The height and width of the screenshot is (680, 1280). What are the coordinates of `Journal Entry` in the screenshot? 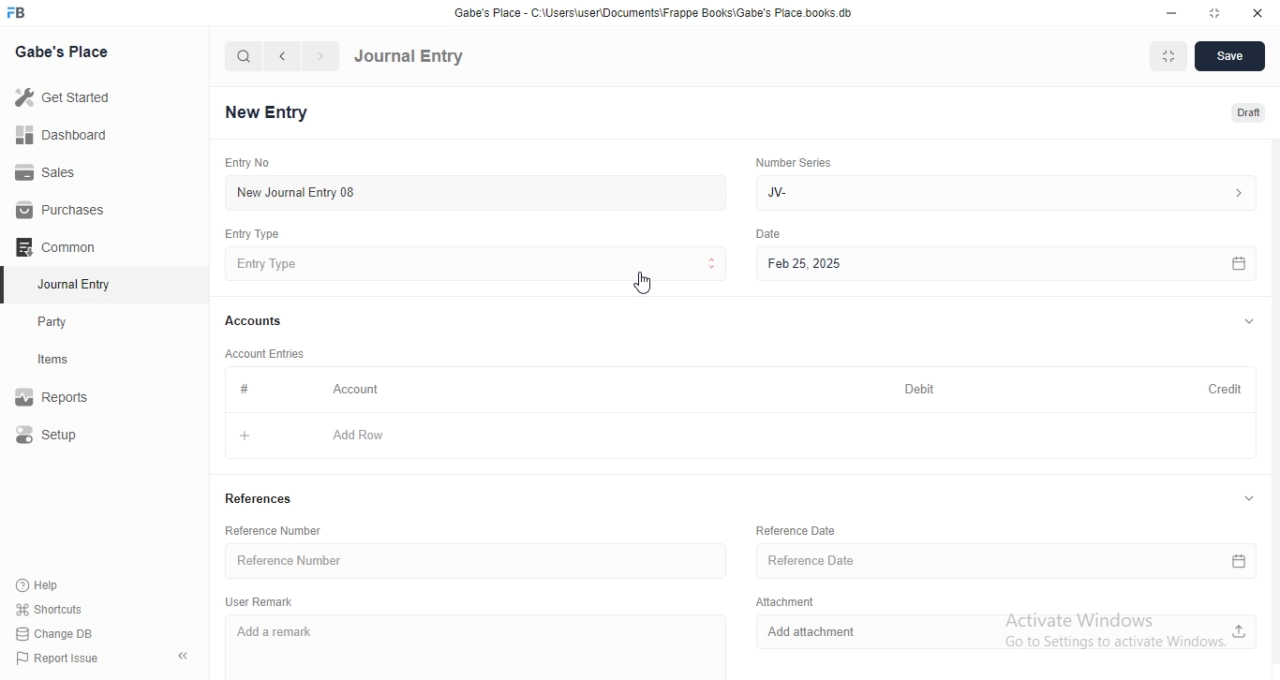 It's located at (410, 57).